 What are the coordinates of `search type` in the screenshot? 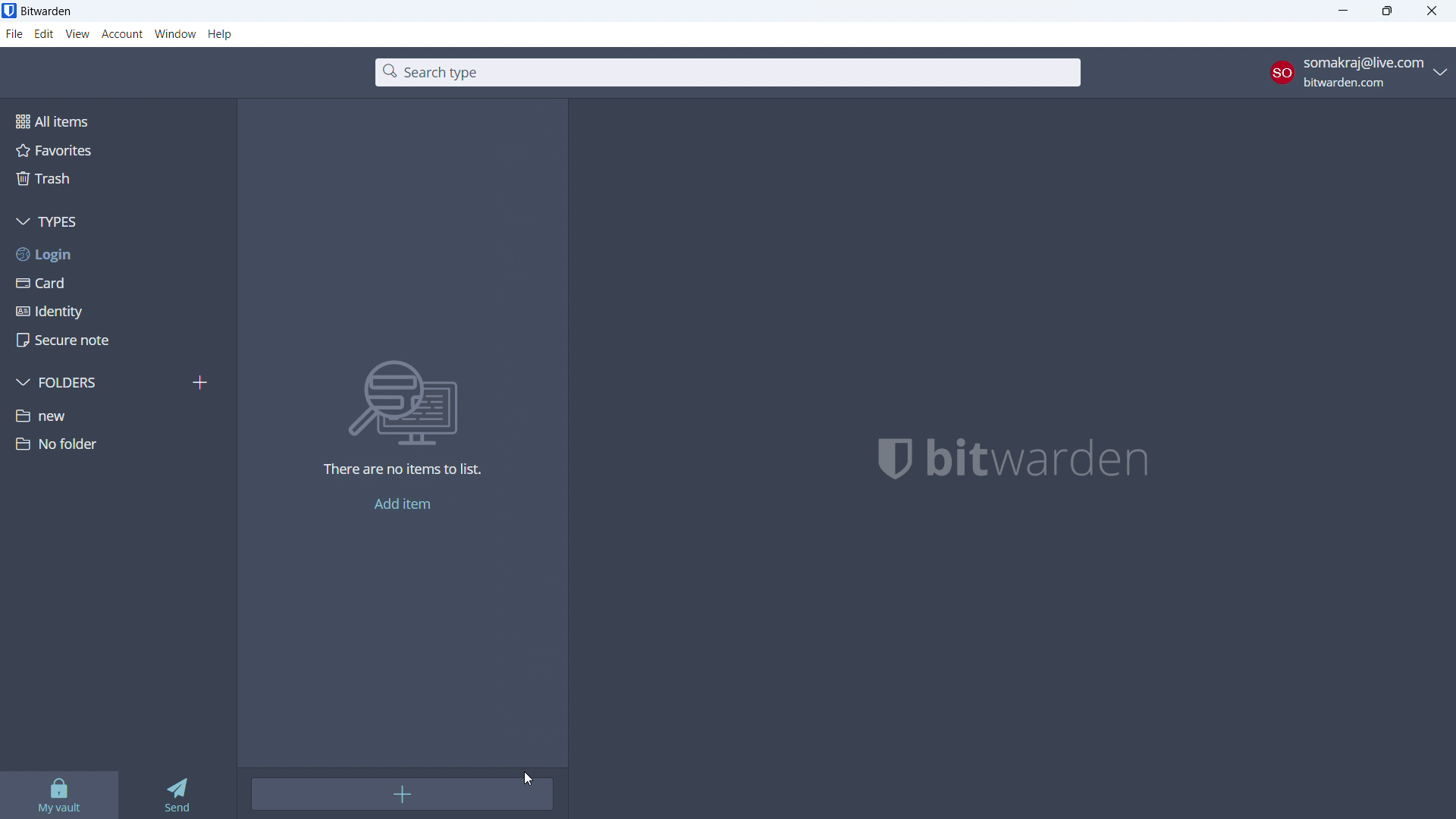 It's located at (728, 73).